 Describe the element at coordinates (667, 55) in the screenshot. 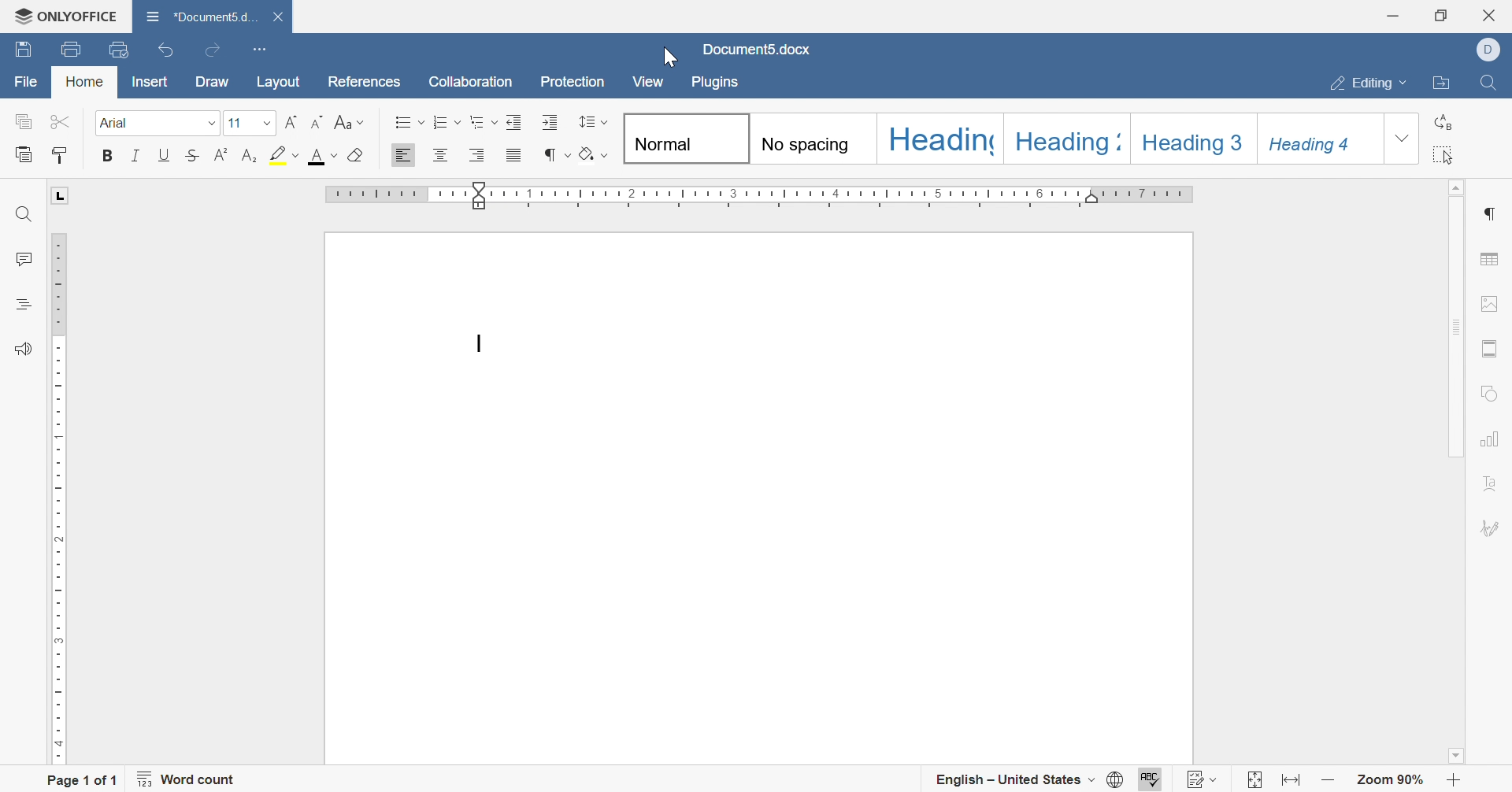

I see `cursor` at that location.